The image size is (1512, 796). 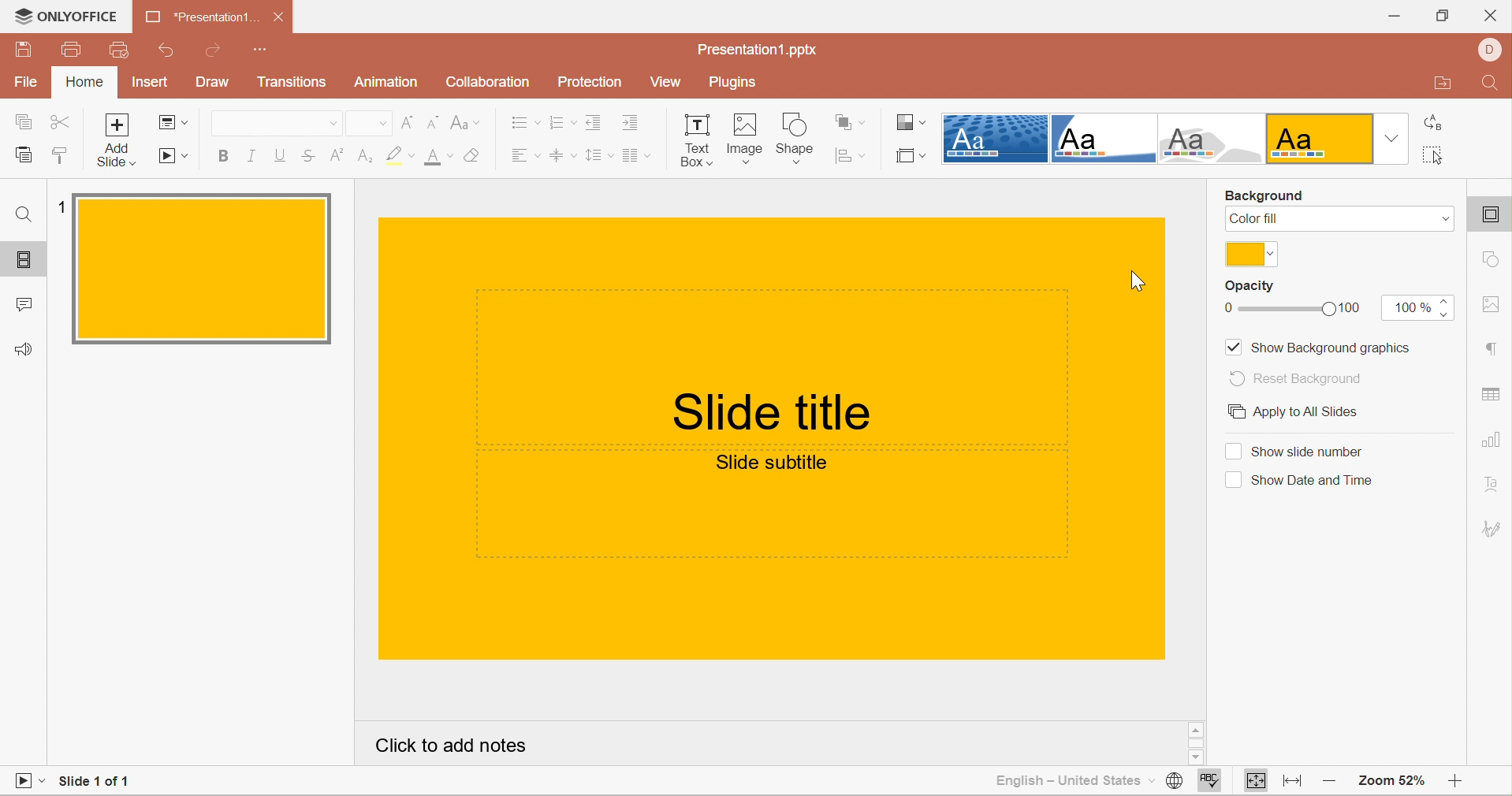 What do you see at coordinates (196, 17) in the screenshot?
I see `Presentation1...` at bounding box center [196, 17].